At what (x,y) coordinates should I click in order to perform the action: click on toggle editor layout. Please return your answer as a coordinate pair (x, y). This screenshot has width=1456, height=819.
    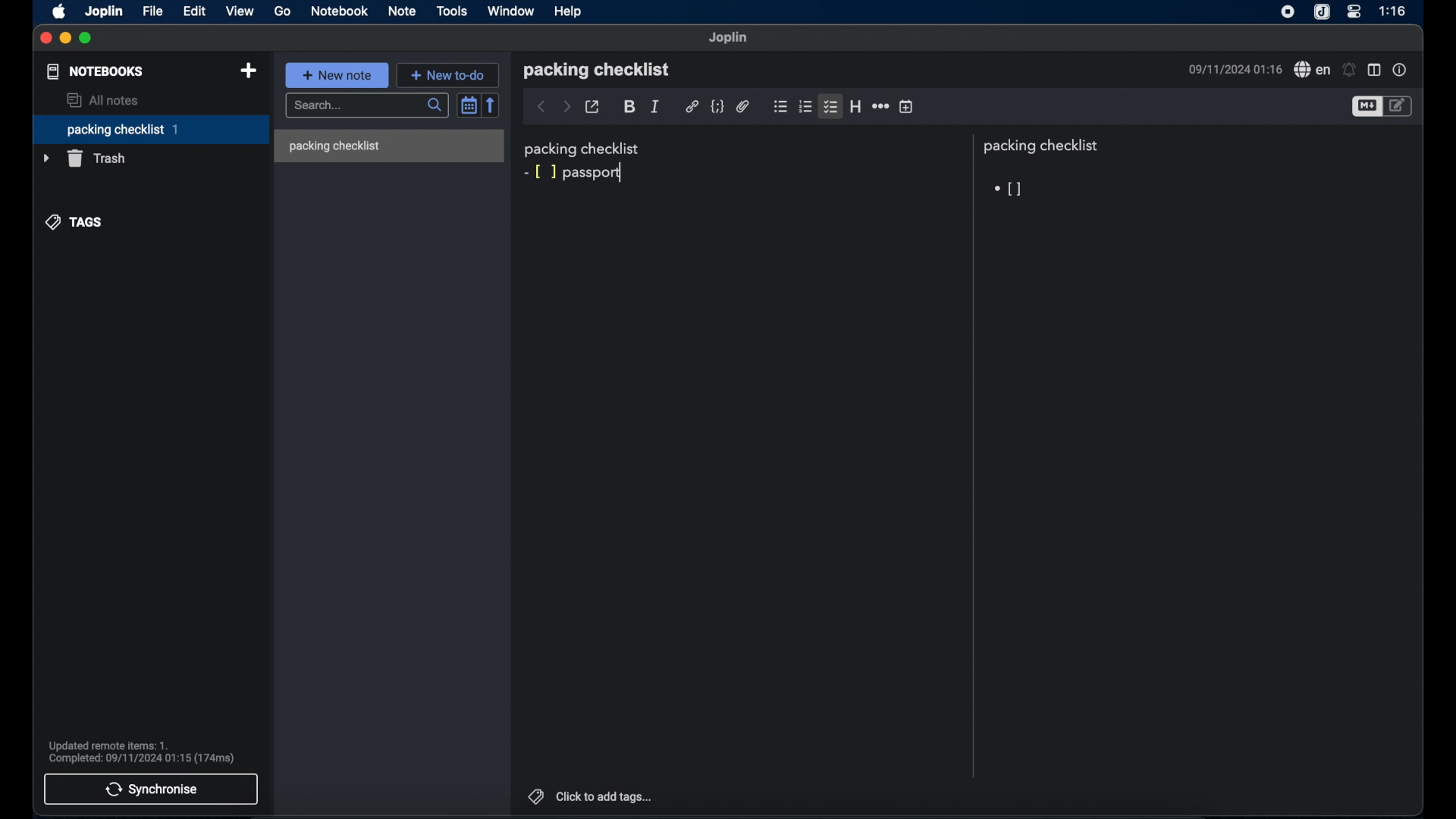
    Looking at the image, I should click on (1375, 69).